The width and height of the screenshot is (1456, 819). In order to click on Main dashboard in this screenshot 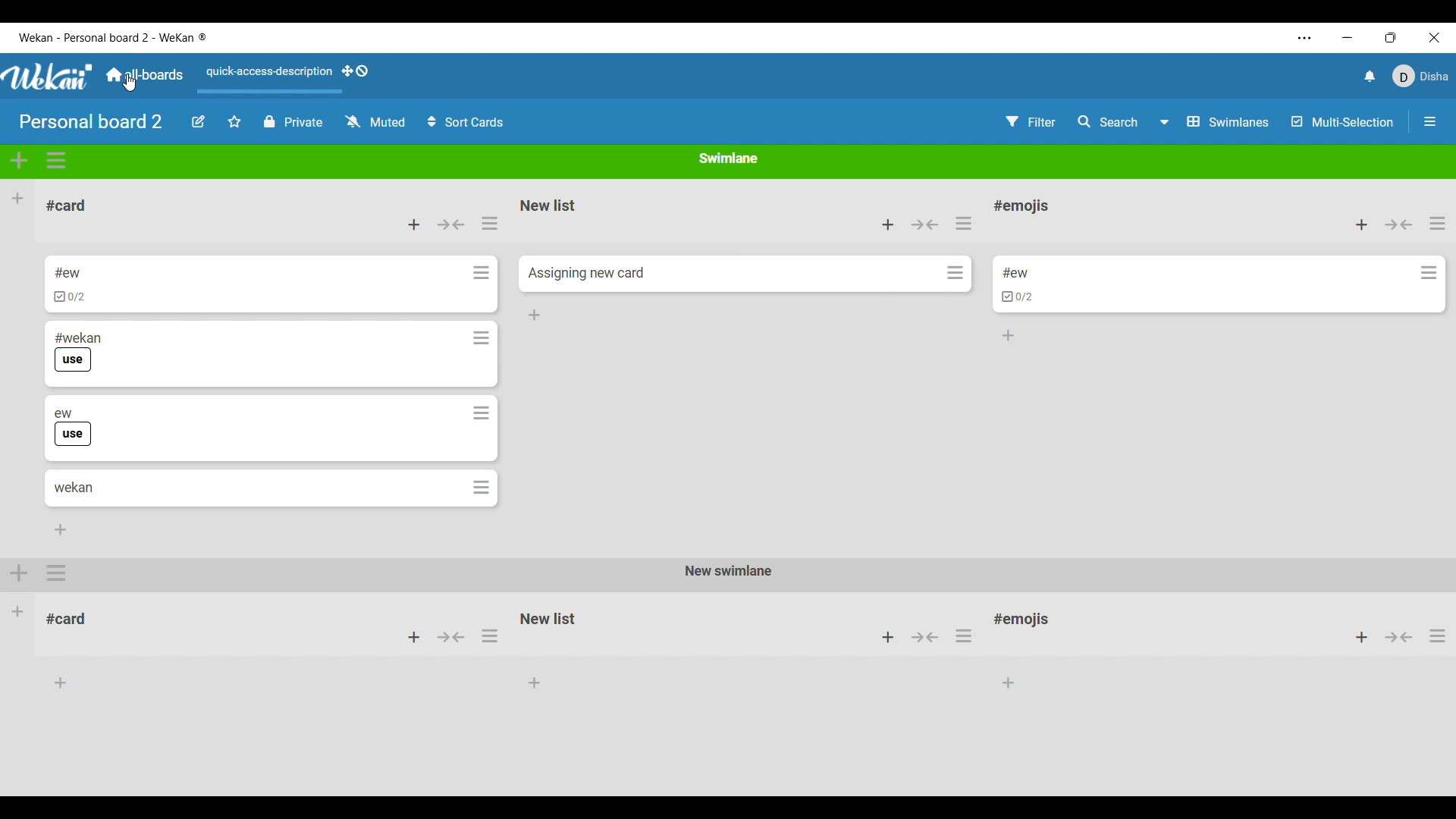, I will do `click(145, 74)`.